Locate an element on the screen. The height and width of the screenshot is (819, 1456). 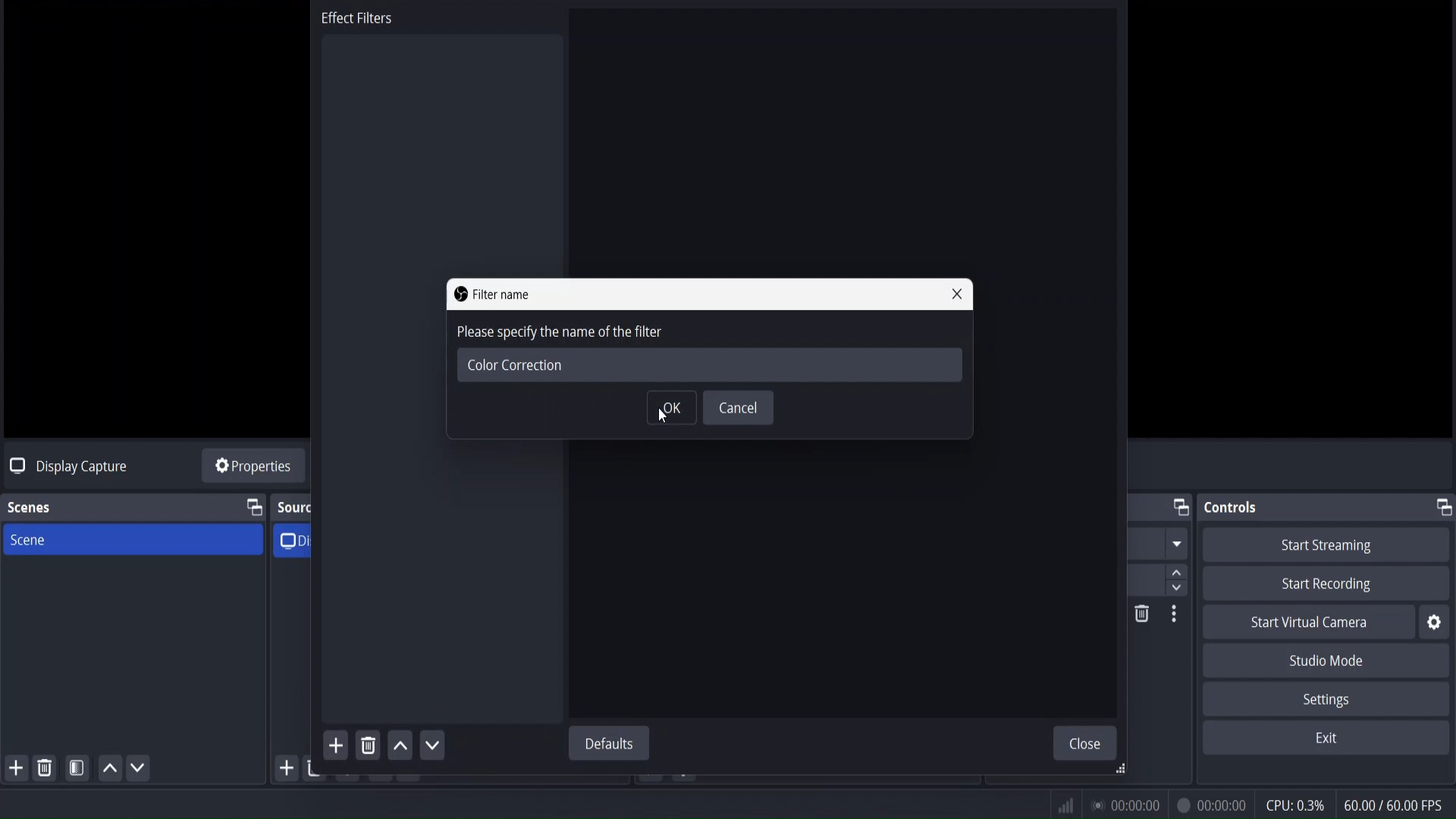
change tab layout is located at coordinates (253, 508).